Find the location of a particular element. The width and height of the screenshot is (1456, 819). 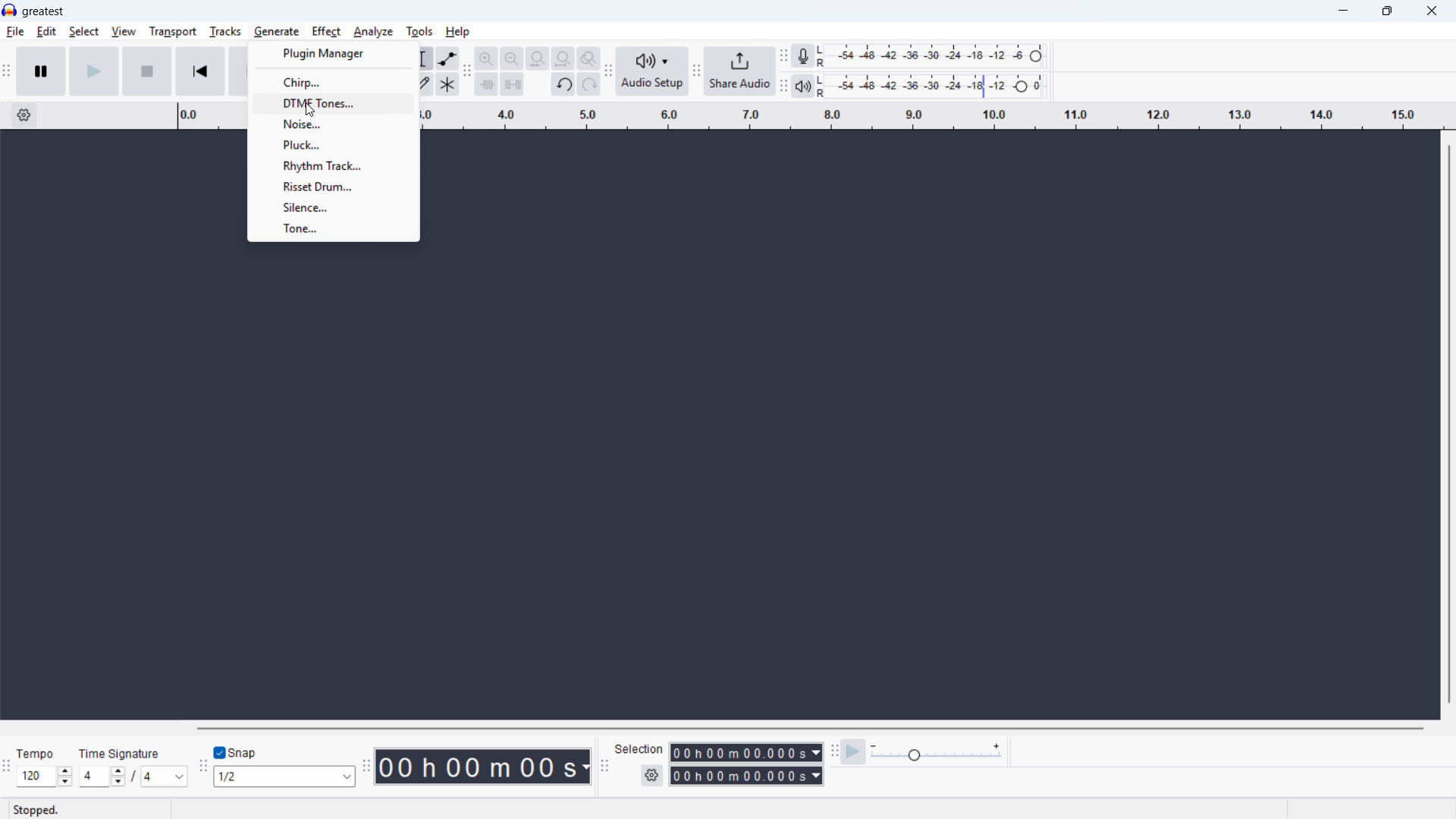

view is located at coordinates (123, 31).